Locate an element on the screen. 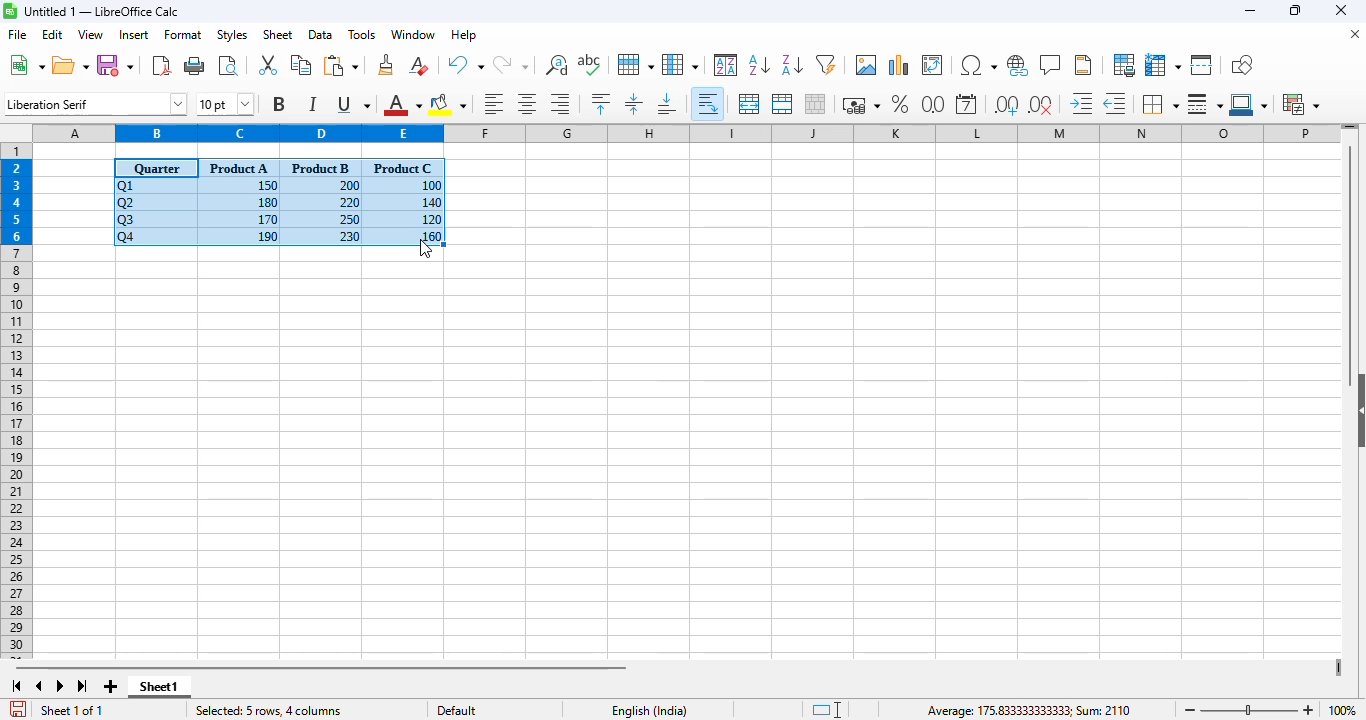  format is located at coordinates (183, 35).